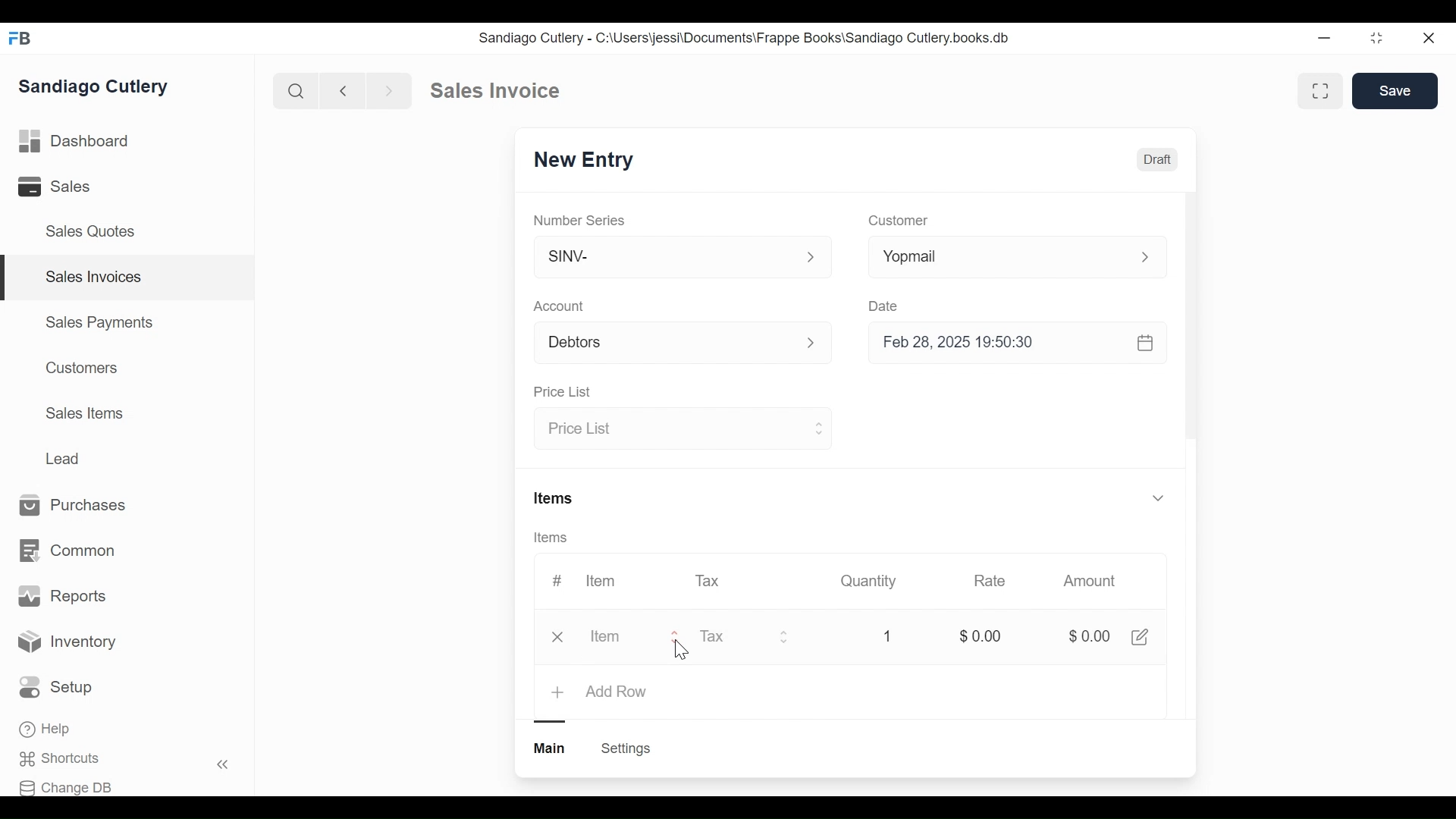 The height and width of the screenshot is (819, 1456). I want to click on Tax , so click(745, 639).